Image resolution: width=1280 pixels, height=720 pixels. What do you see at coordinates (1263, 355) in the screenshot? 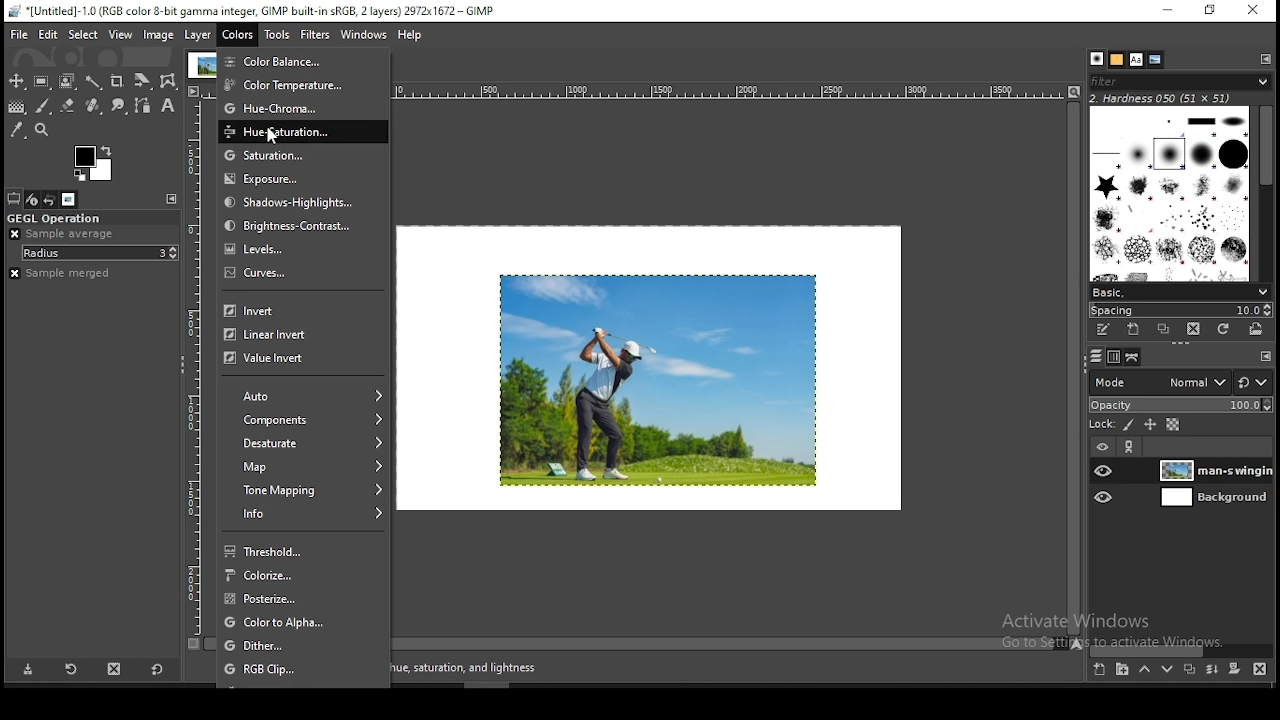
I see `configure this tab` at bounding box center [1263, 355].